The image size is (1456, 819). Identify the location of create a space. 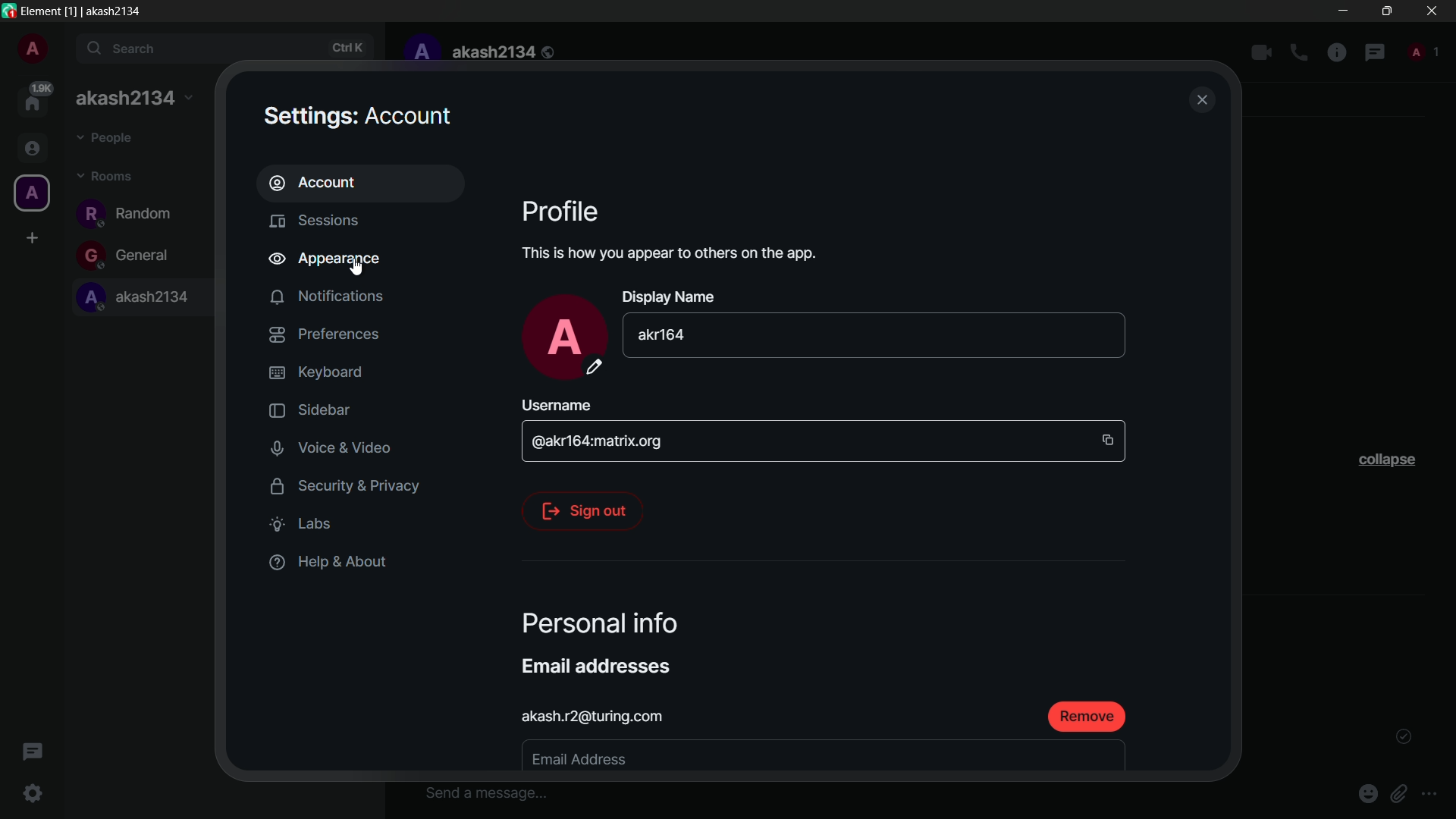
(33, 238).